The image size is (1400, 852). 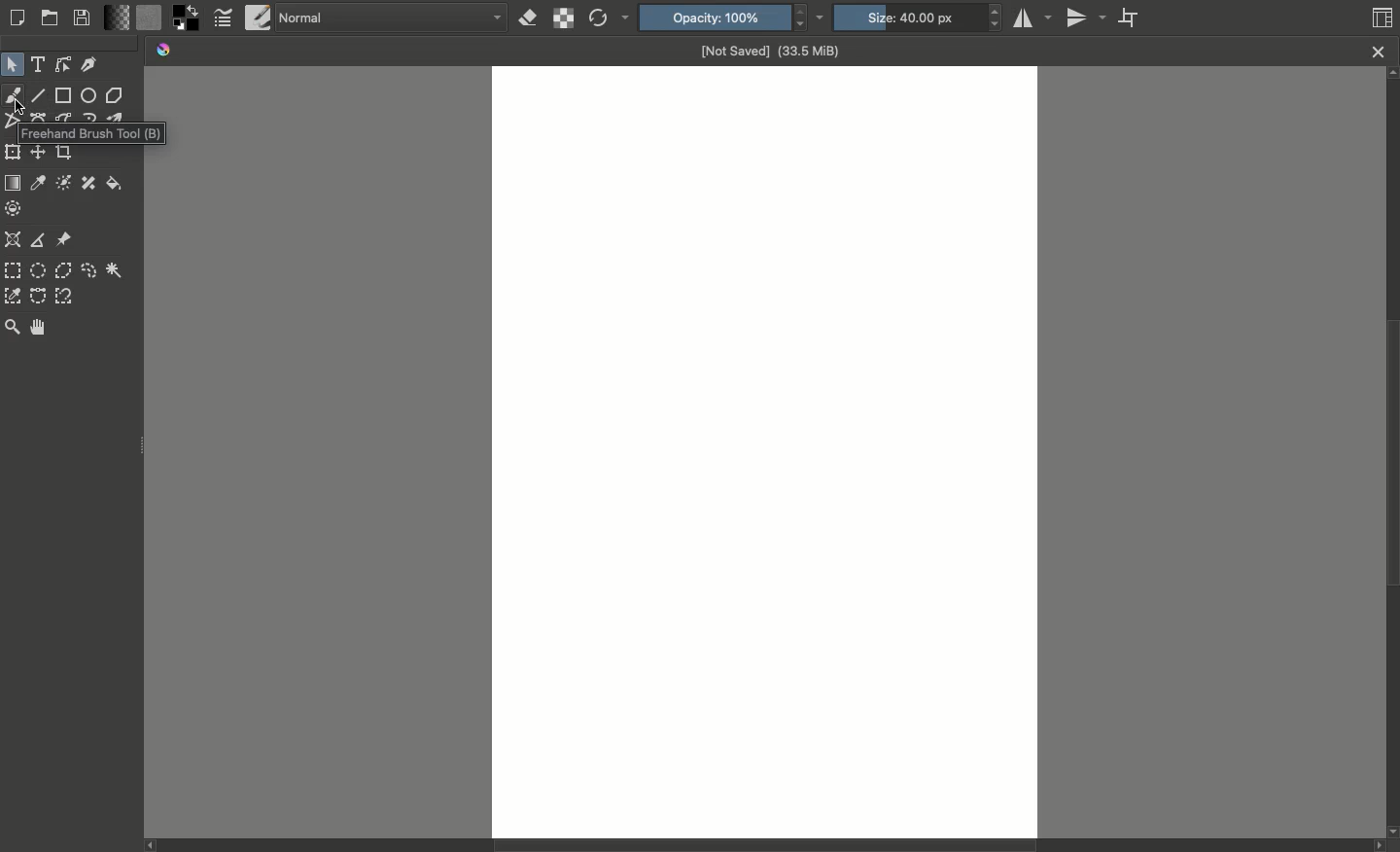 What do you see at coordinates (391, 19) in the screenshot?
I see `Normal` at bounding box center [391, 19].